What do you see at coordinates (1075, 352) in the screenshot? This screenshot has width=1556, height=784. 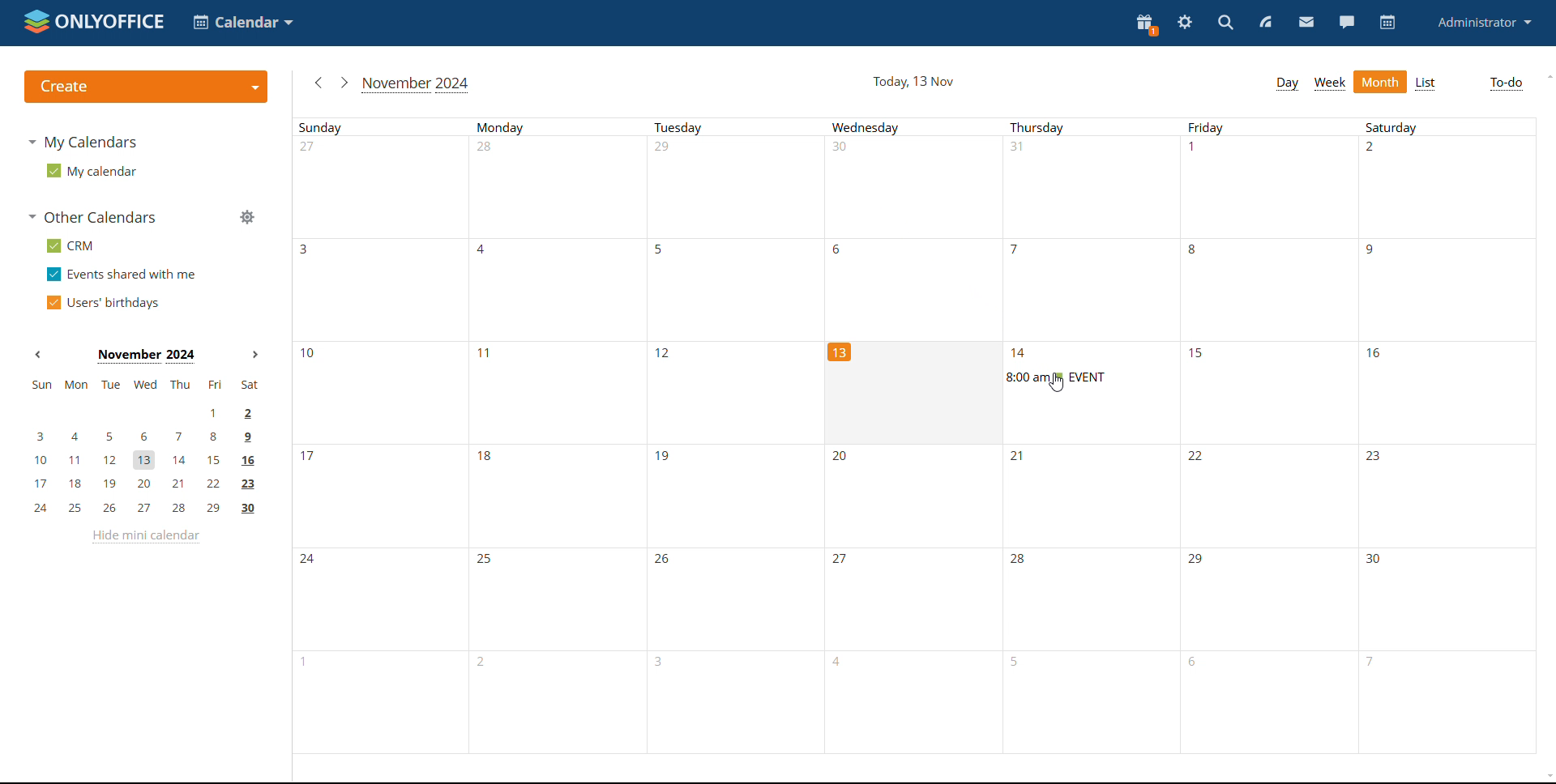 I see `14` at bounding box center [1075, 352].